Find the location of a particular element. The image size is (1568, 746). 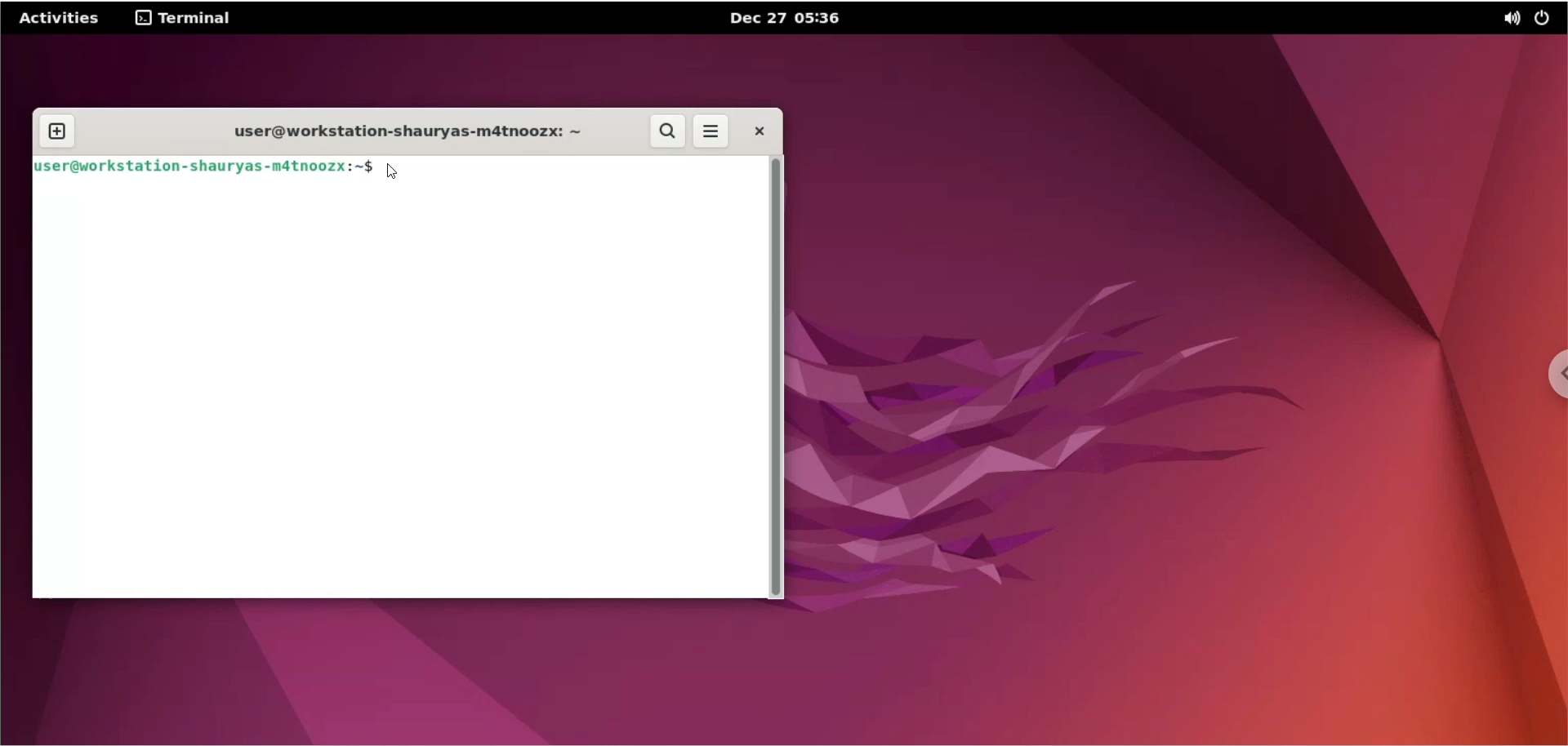

sound options is located at coordinates (1508, 20).